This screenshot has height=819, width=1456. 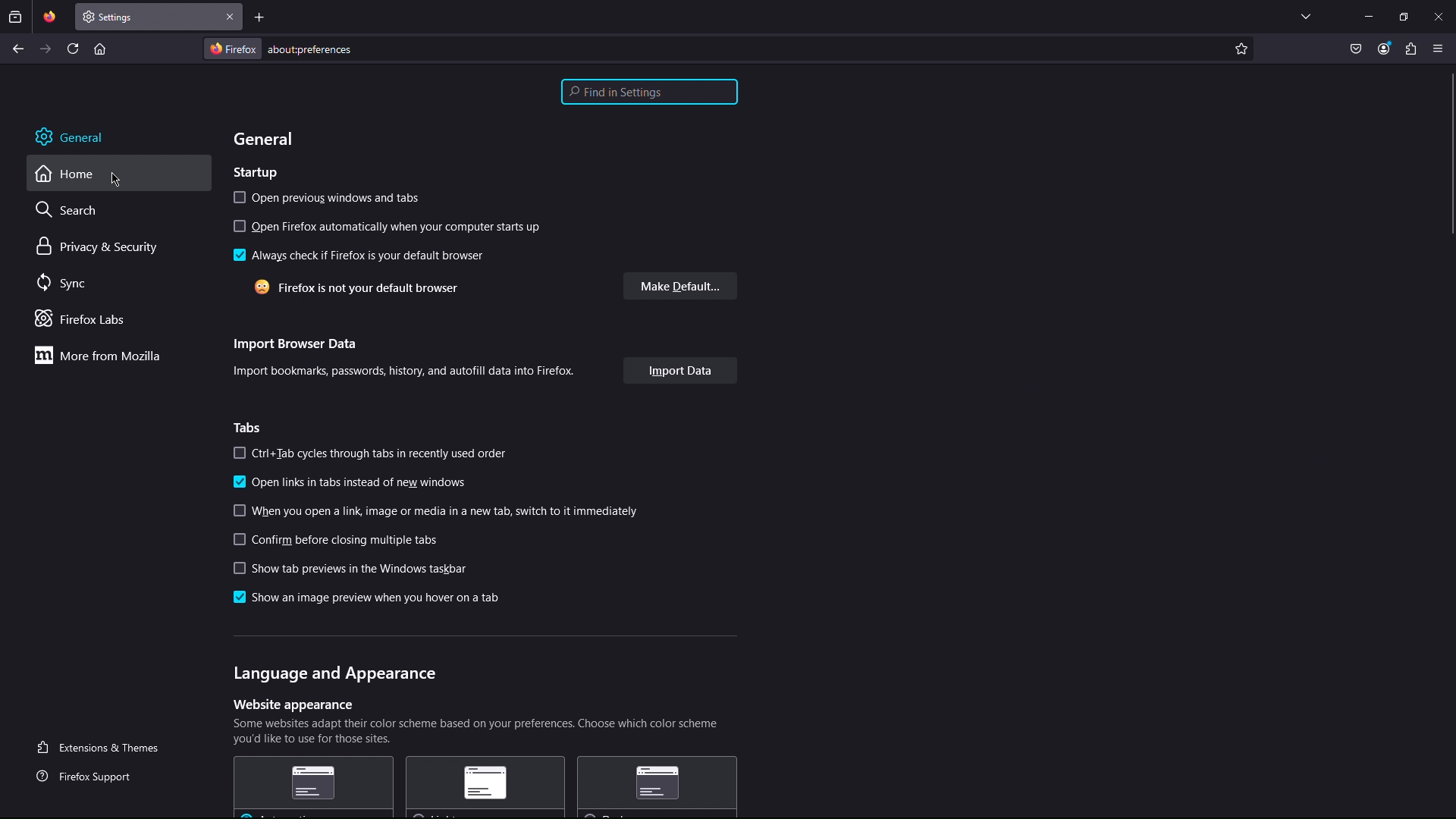 I want to click on List all tabs, so click(x=1306, y=16).